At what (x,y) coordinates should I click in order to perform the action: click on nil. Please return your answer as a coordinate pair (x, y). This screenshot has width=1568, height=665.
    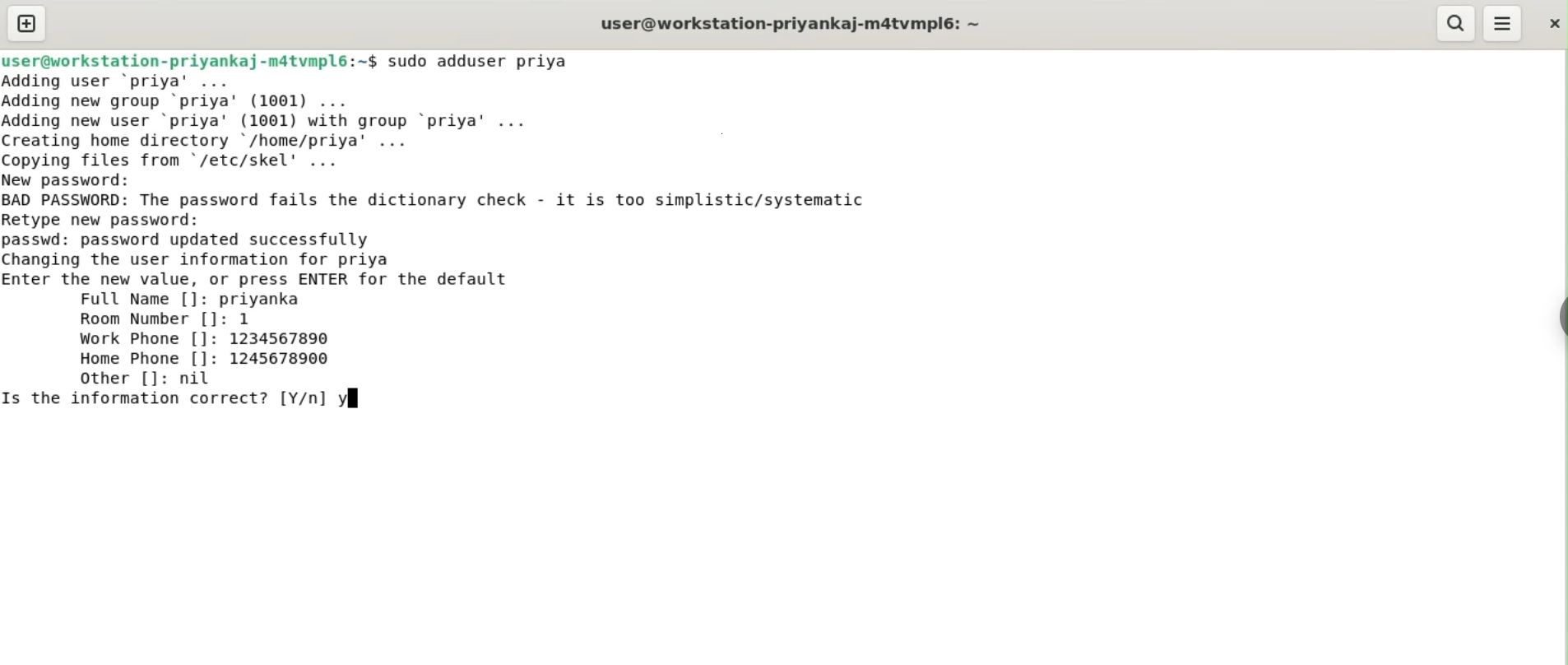
    Looking at the image, I should click on (203, 379).